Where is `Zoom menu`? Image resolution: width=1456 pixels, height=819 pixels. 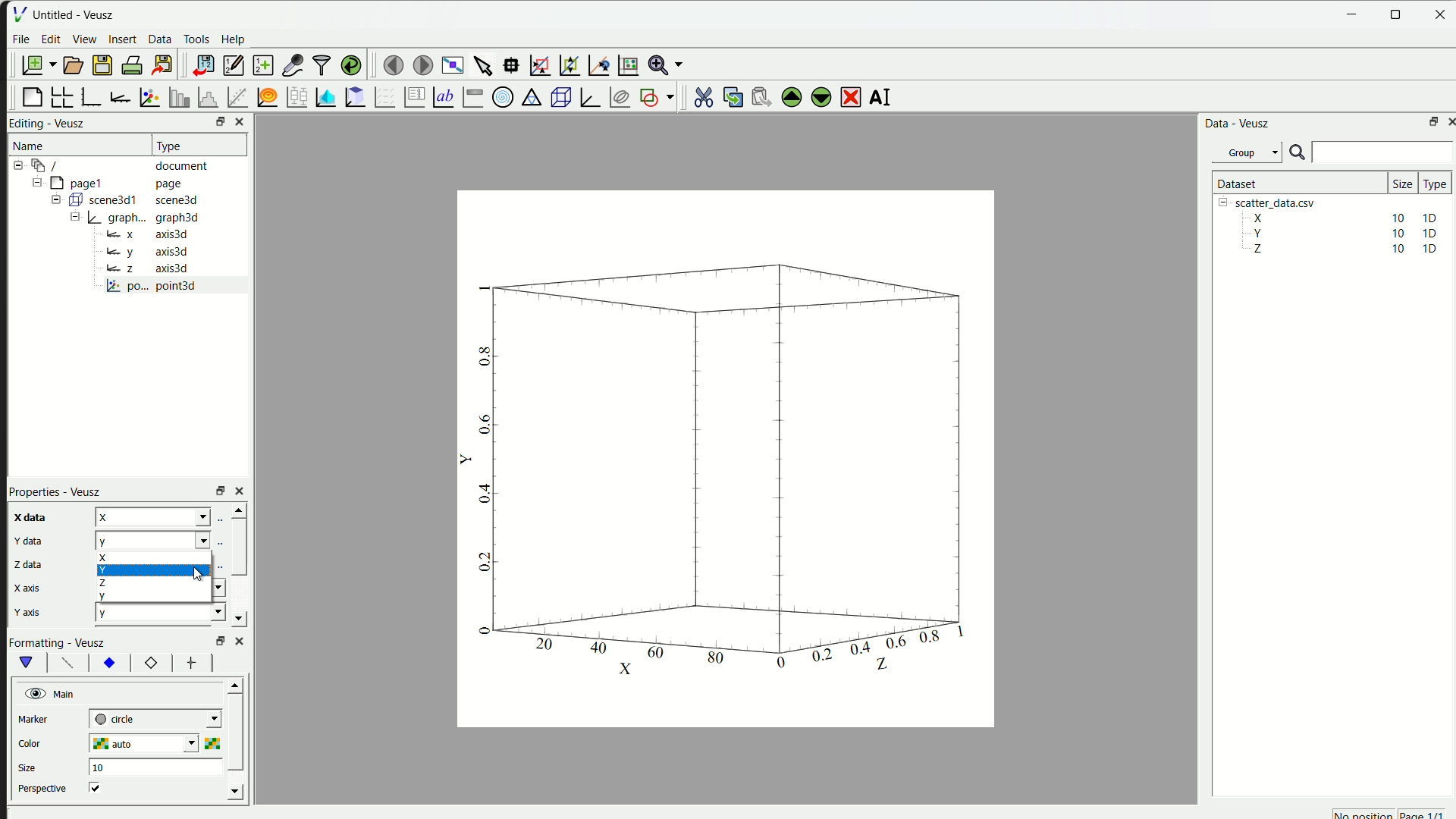 Zoom menu is located at coordinates (664, 64).